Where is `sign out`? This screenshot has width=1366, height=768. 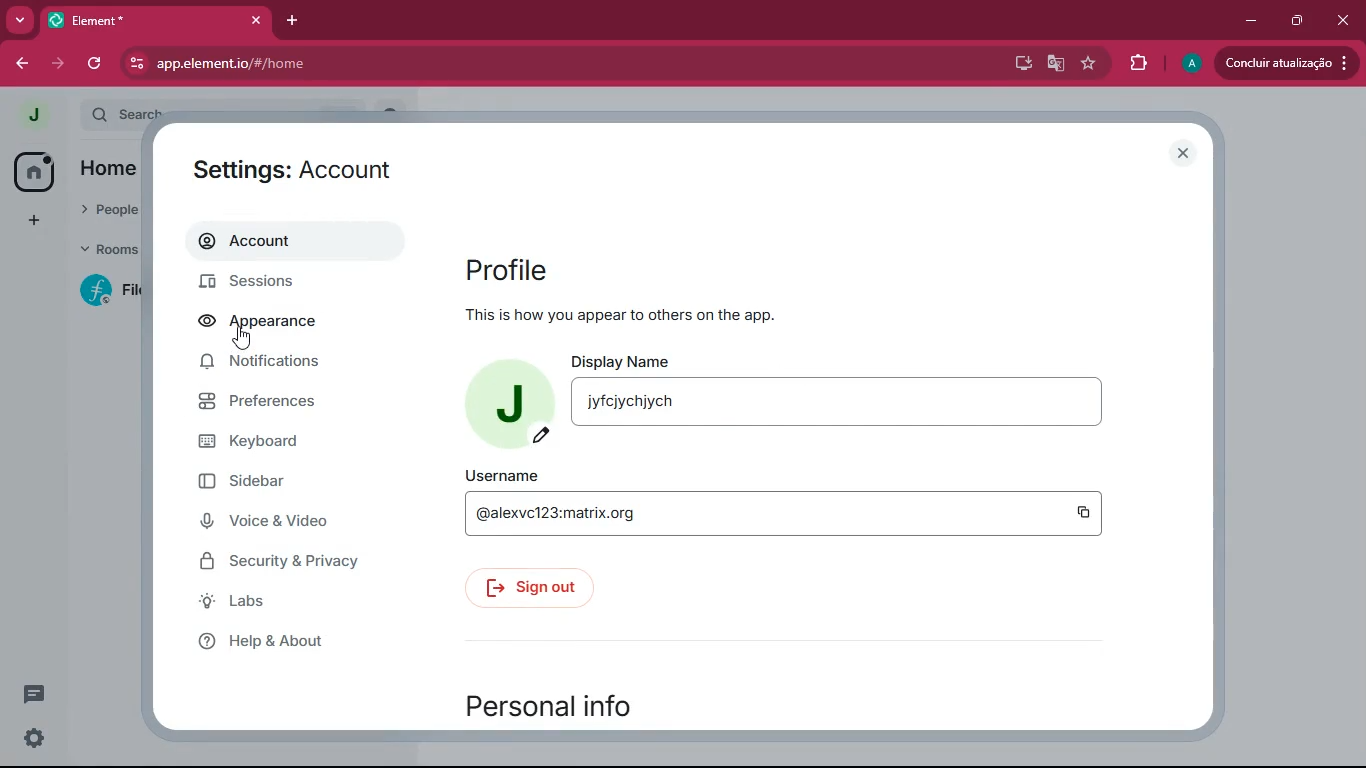 sign out is located at coordinates (534, 588).